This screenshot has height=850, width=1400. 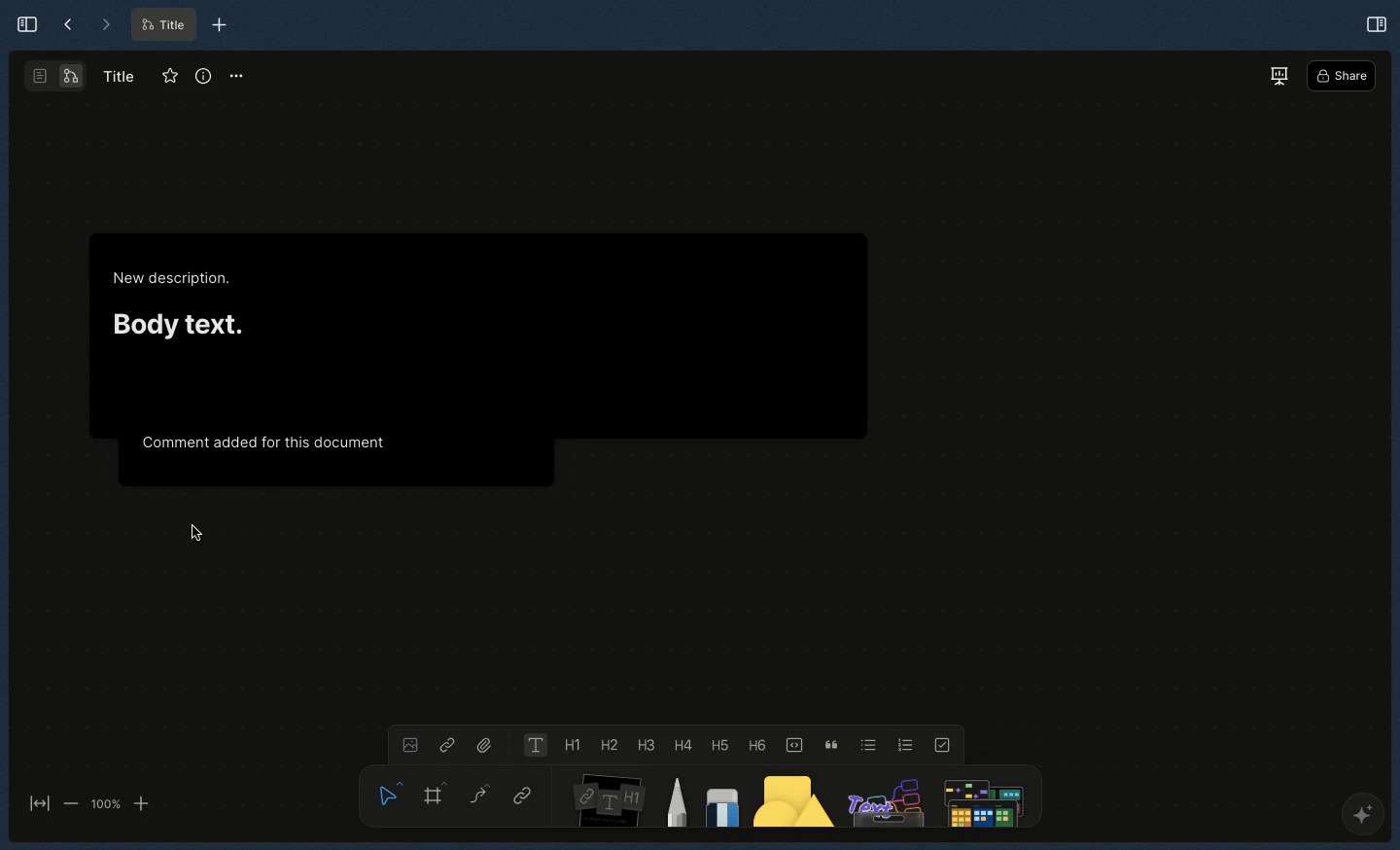 I want to click on Link, so click(x=523, y=797).